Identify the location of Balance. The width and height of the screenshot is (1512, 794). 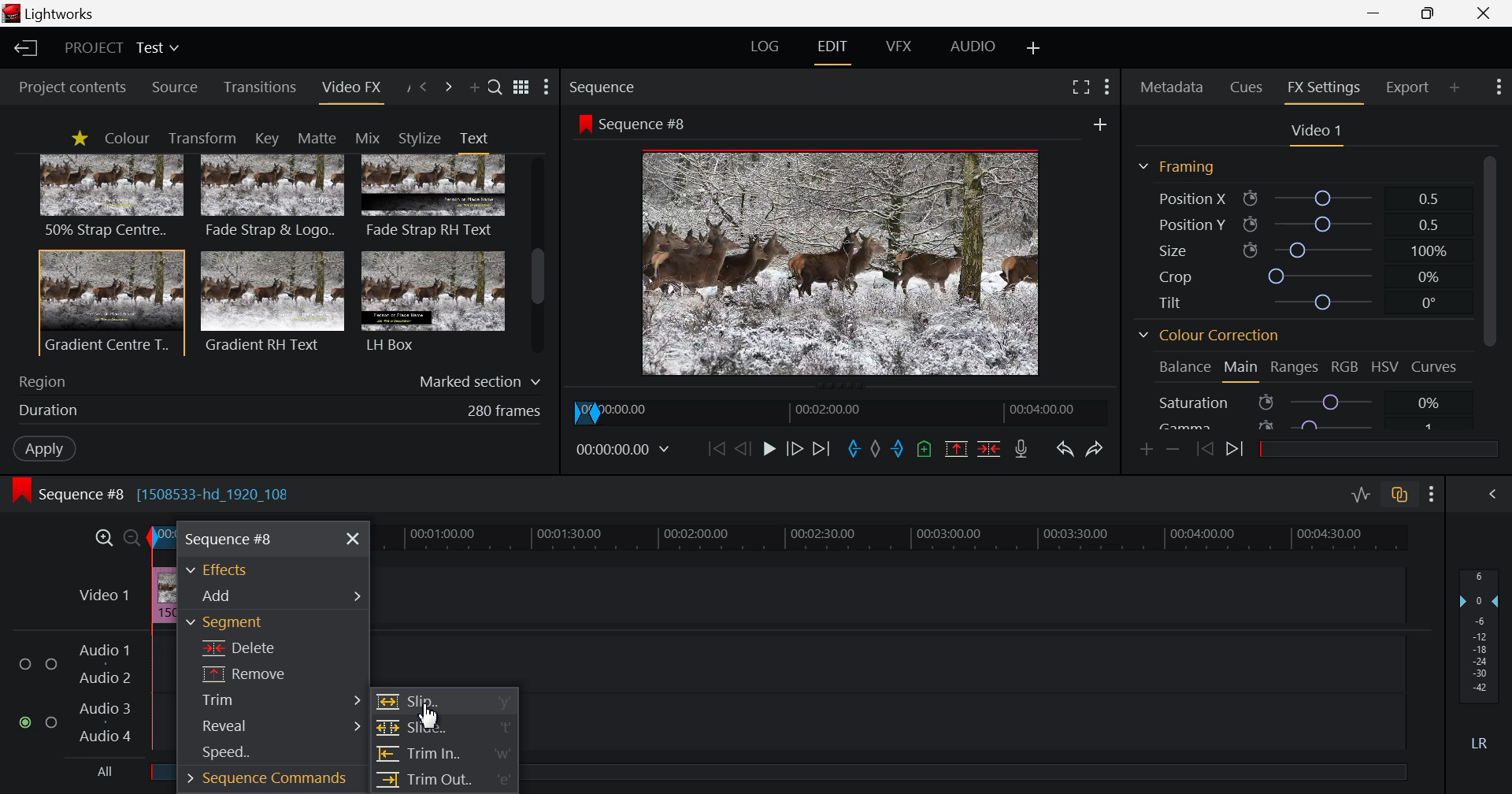
(1184, 366).